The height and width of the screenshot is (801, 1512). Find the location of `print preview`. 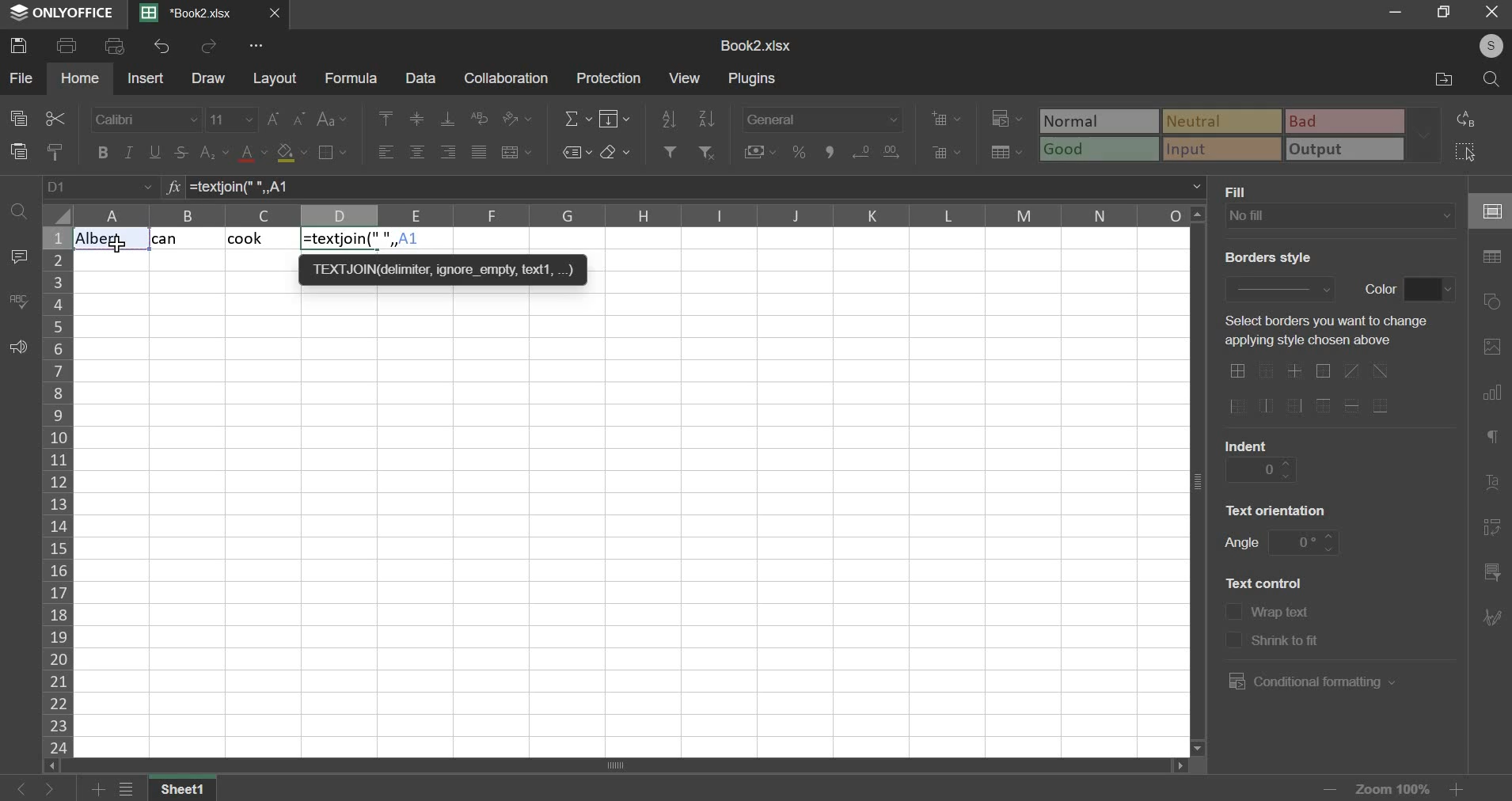

print preview is located at coordinates (116, 46).